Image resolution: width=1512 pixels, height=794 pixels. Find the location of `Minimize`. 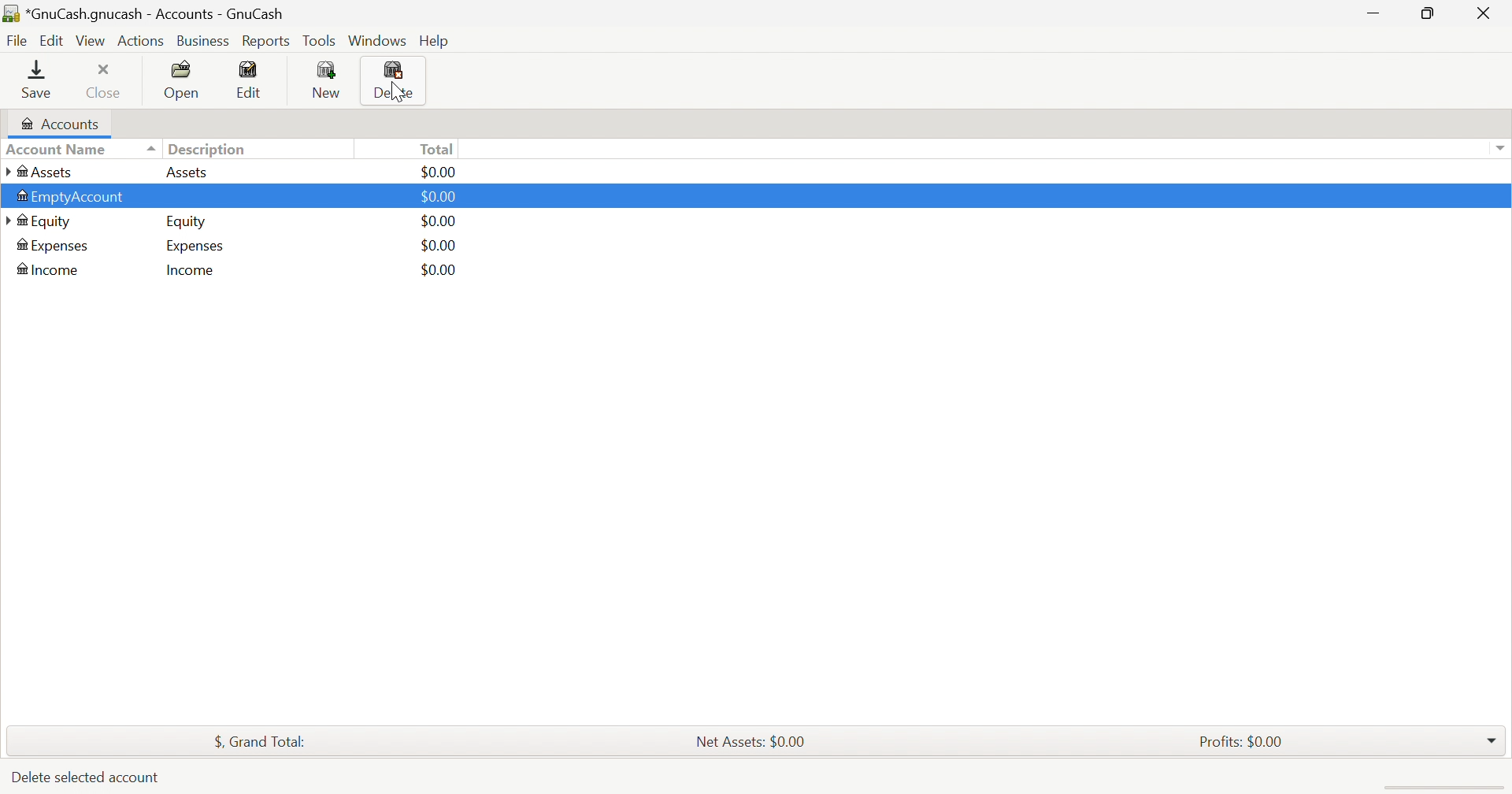

Minimize is located at coordinates (1374, 17).